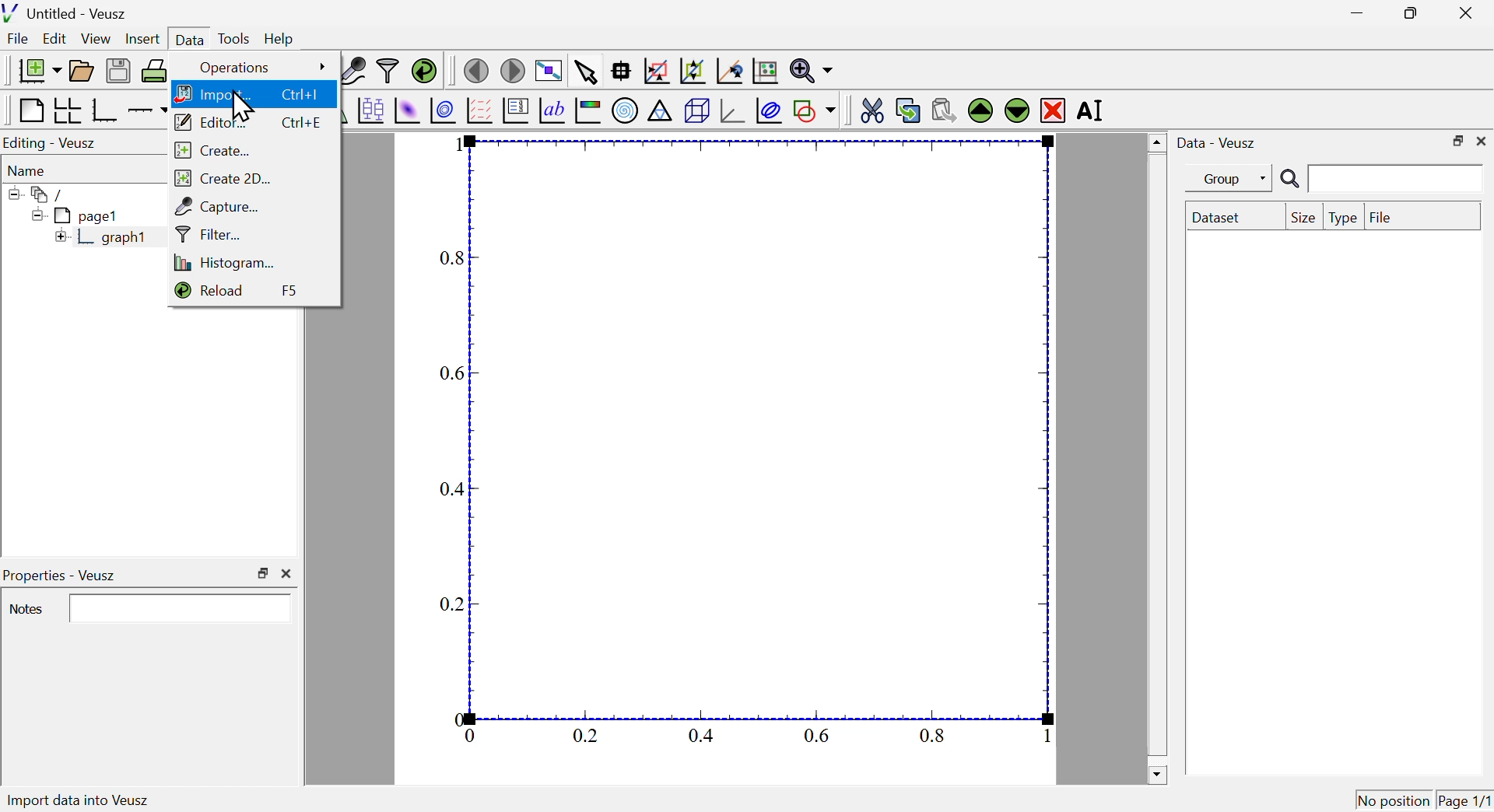 This screenshot has height=812, width=1494. Describe the element at coordinates (262, 573) in the screenshot. I see `maximize` at that location.